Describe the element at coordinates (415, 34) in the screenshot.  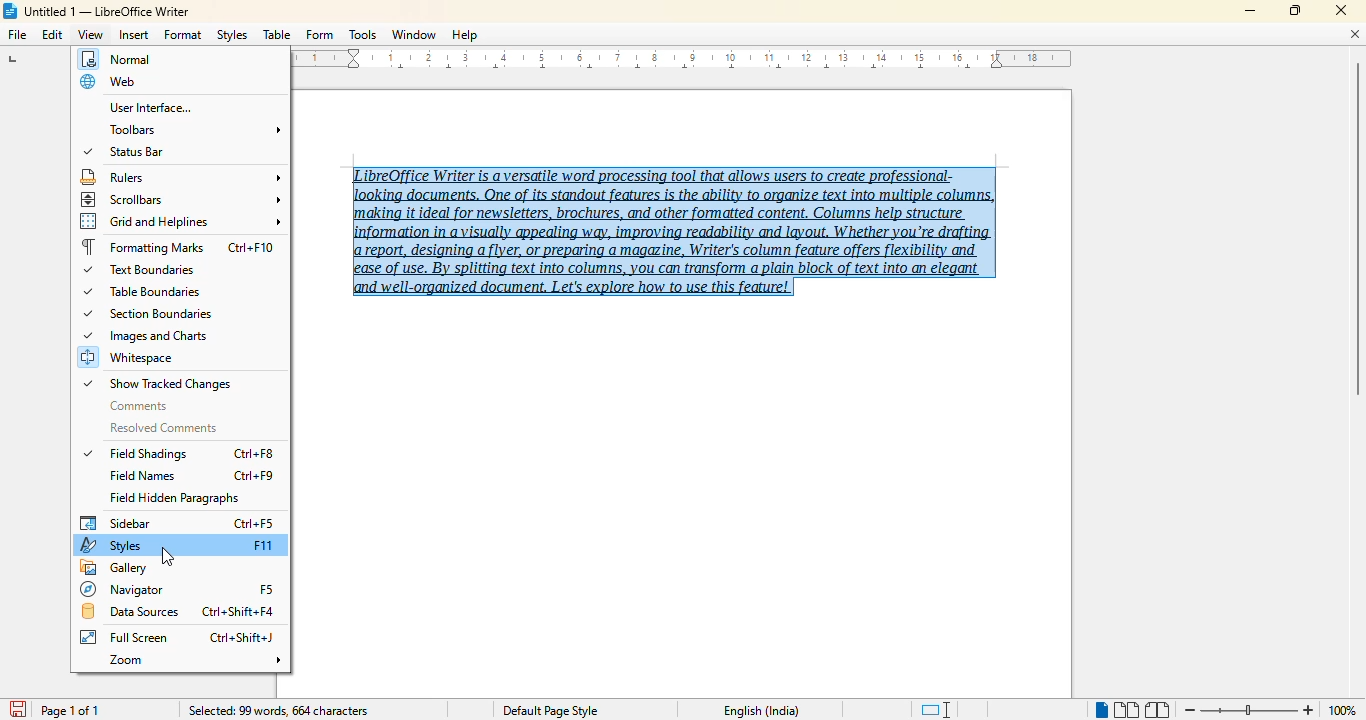
I see `window` at that location.